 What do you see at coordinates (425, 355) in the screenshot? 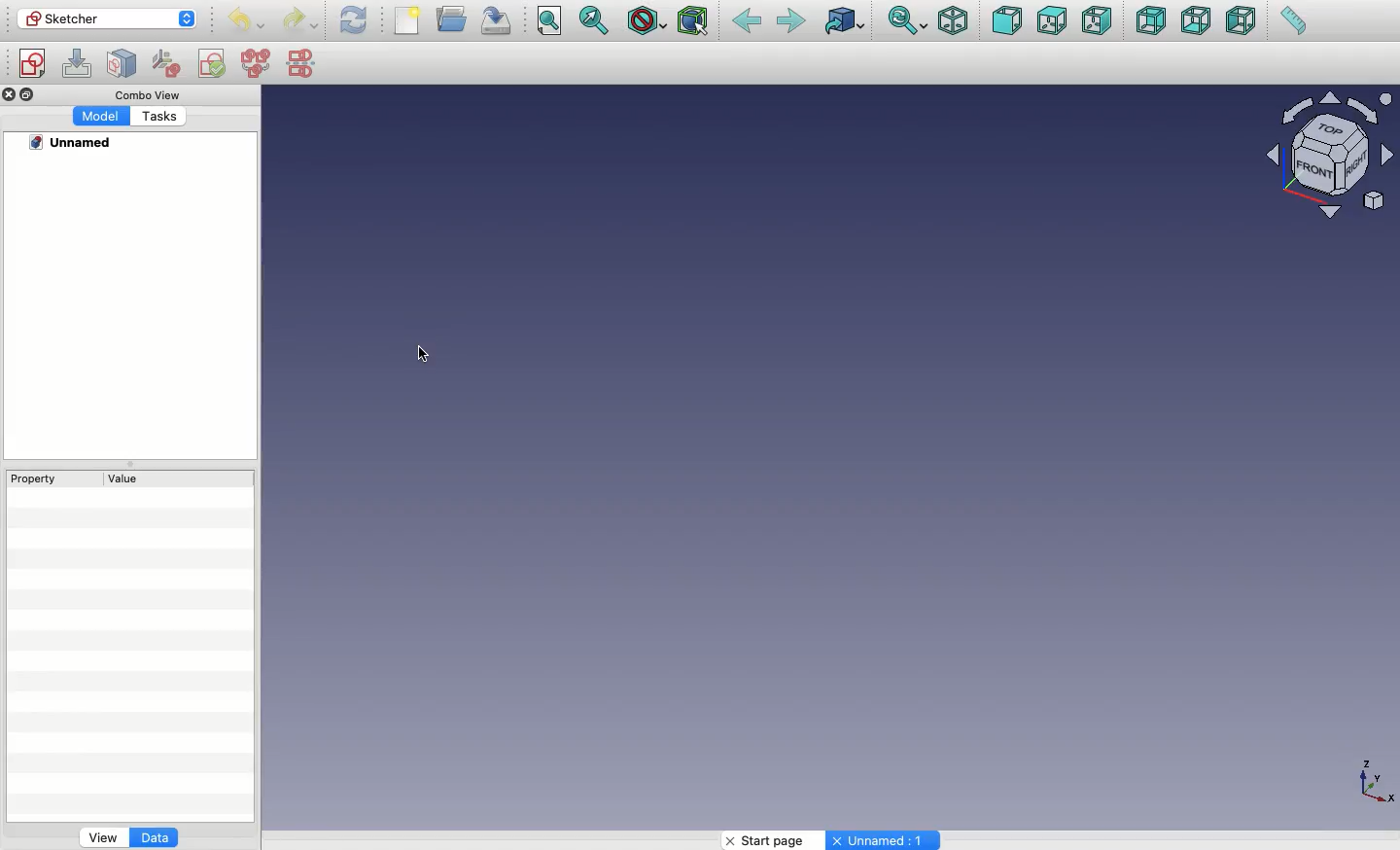
I see `Cursor` at bounding box center [425, 355].